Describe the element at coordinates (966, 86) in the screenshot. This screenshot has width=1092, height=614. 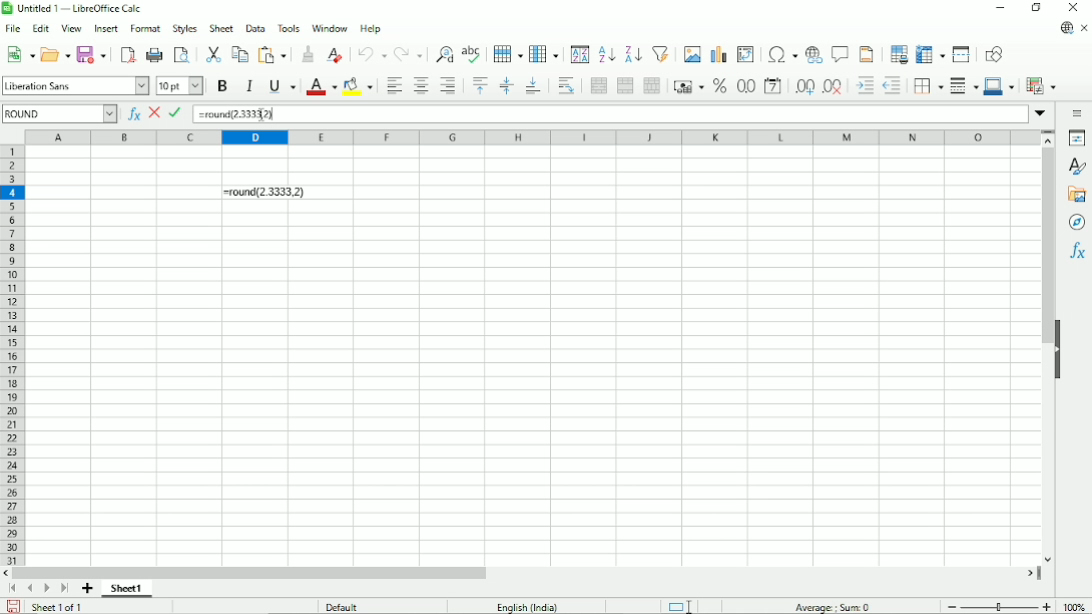
I see `Border style` at that location.